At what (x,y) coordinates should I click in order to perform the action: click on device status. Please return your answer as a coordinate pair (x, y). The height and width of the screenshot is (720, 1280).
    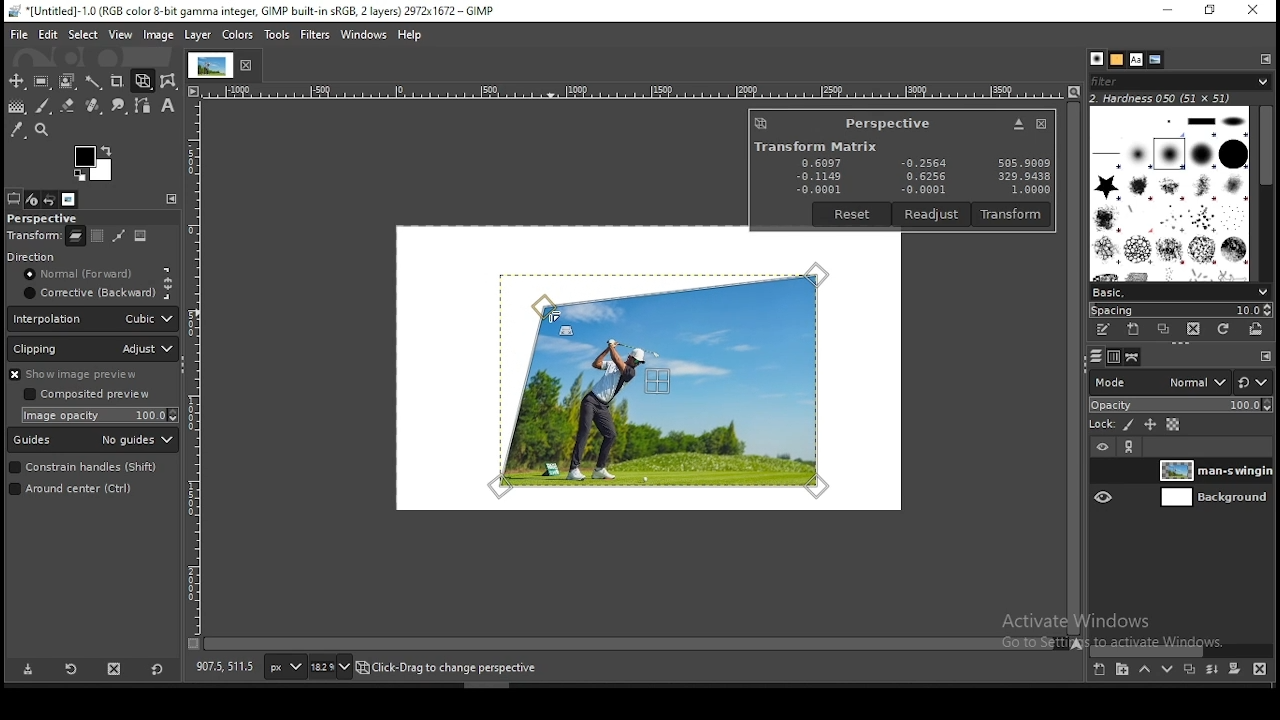
    Looking at the image, I should click on (33, 200).